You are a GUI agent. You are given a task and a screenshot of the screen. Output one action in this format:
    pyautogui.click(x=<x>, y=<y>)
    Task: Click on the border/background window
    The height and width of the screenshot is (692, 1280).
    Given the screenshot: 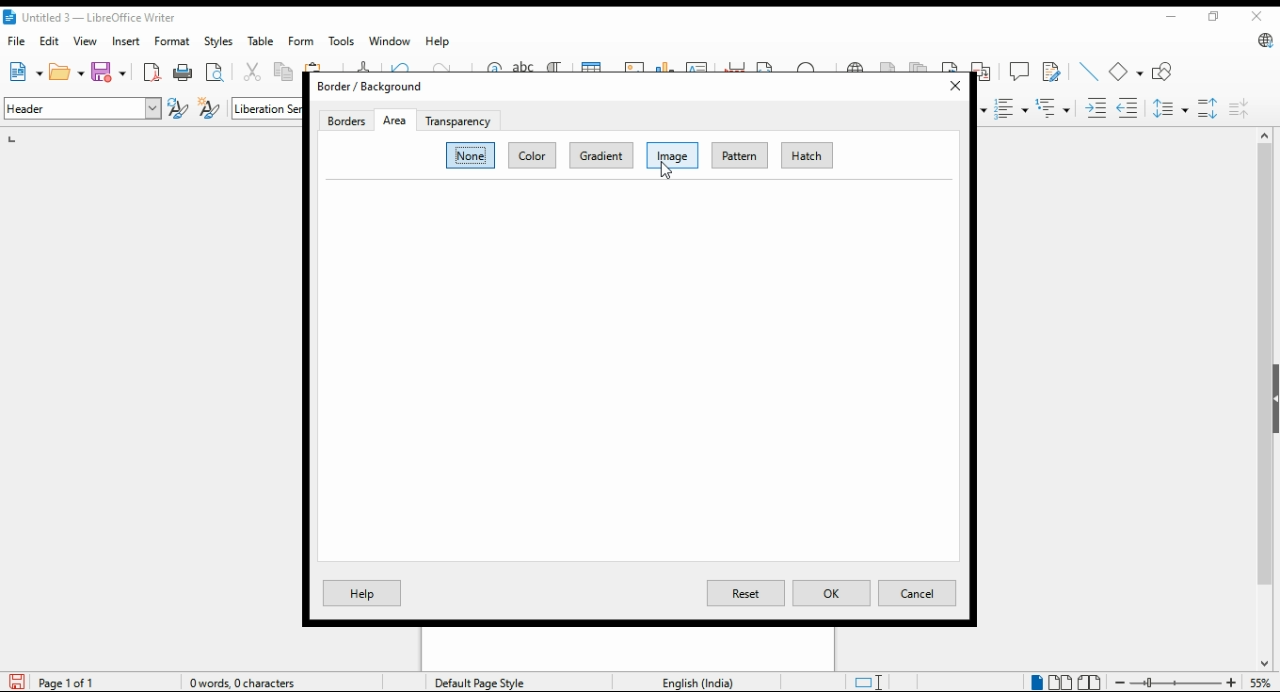 What is the action you would take?
    pyautogui.click(x=376, y=87)
    